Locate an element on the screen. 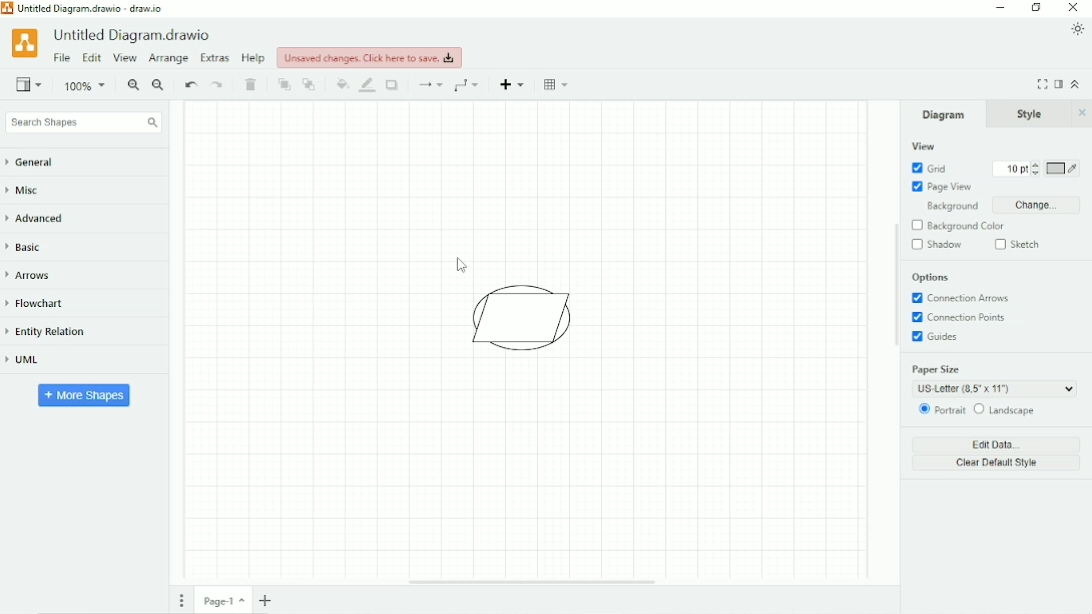 The width and height of the screenshot is (1092, 614). File is located at coordinates (62, 58).